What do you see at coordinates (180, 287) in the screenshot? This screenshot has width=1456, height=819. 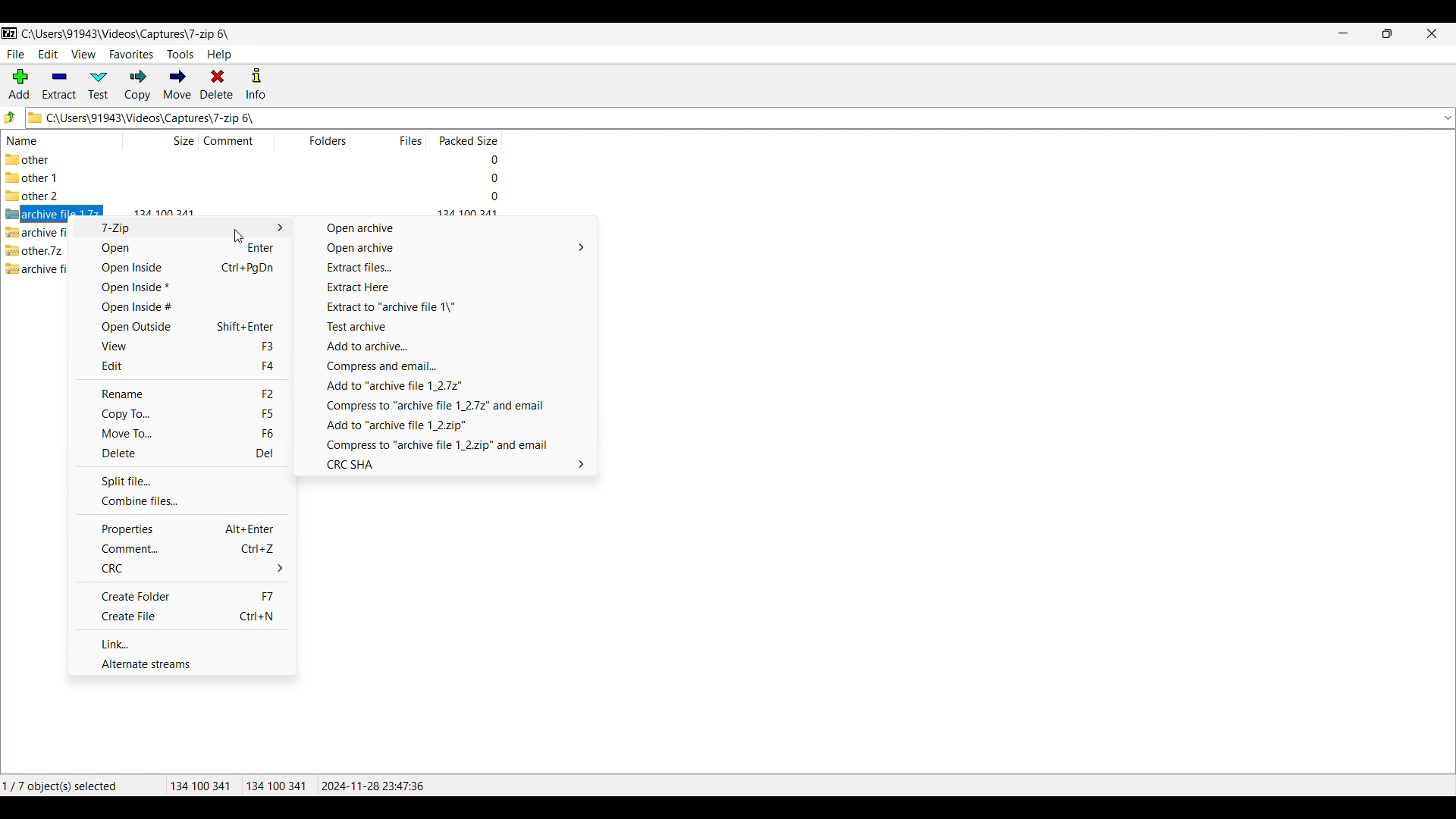 I see `Open inside*` at bounding box center [180, 287].